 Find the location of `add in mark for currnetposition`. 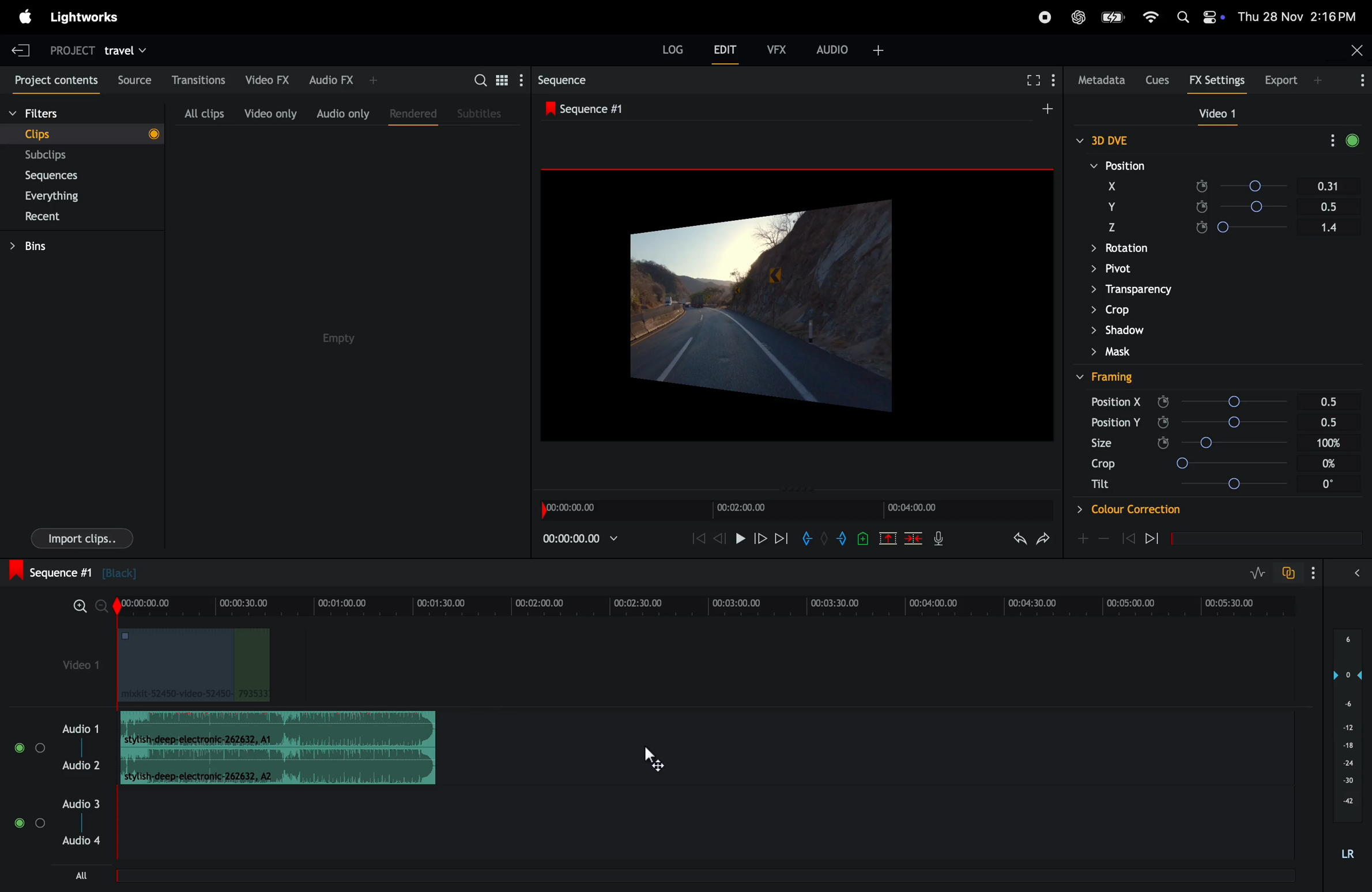

add in mark for currnetposition is located at coordinates (809, 541).